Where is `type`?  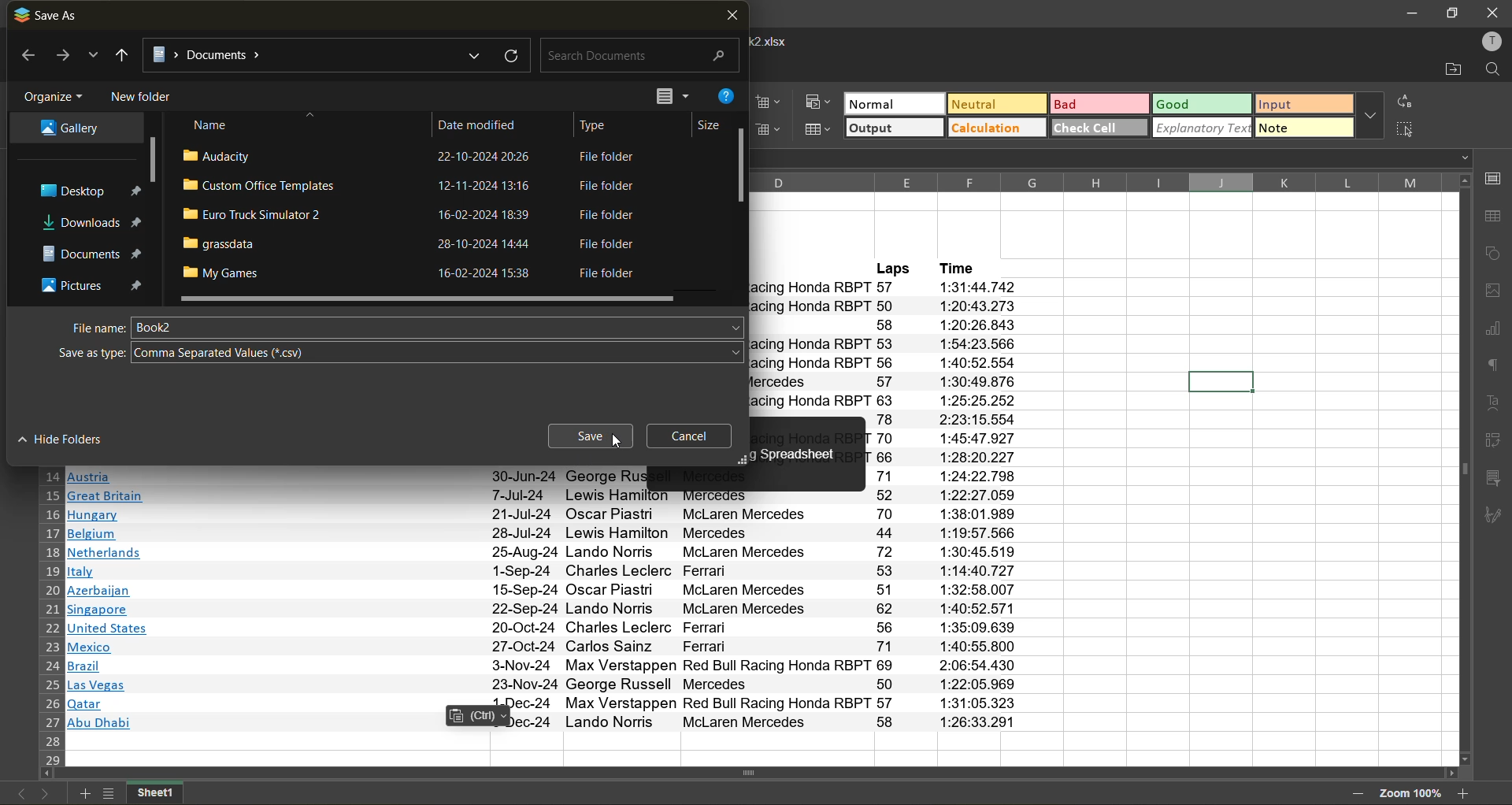
type is located at coordinates (601, 123).